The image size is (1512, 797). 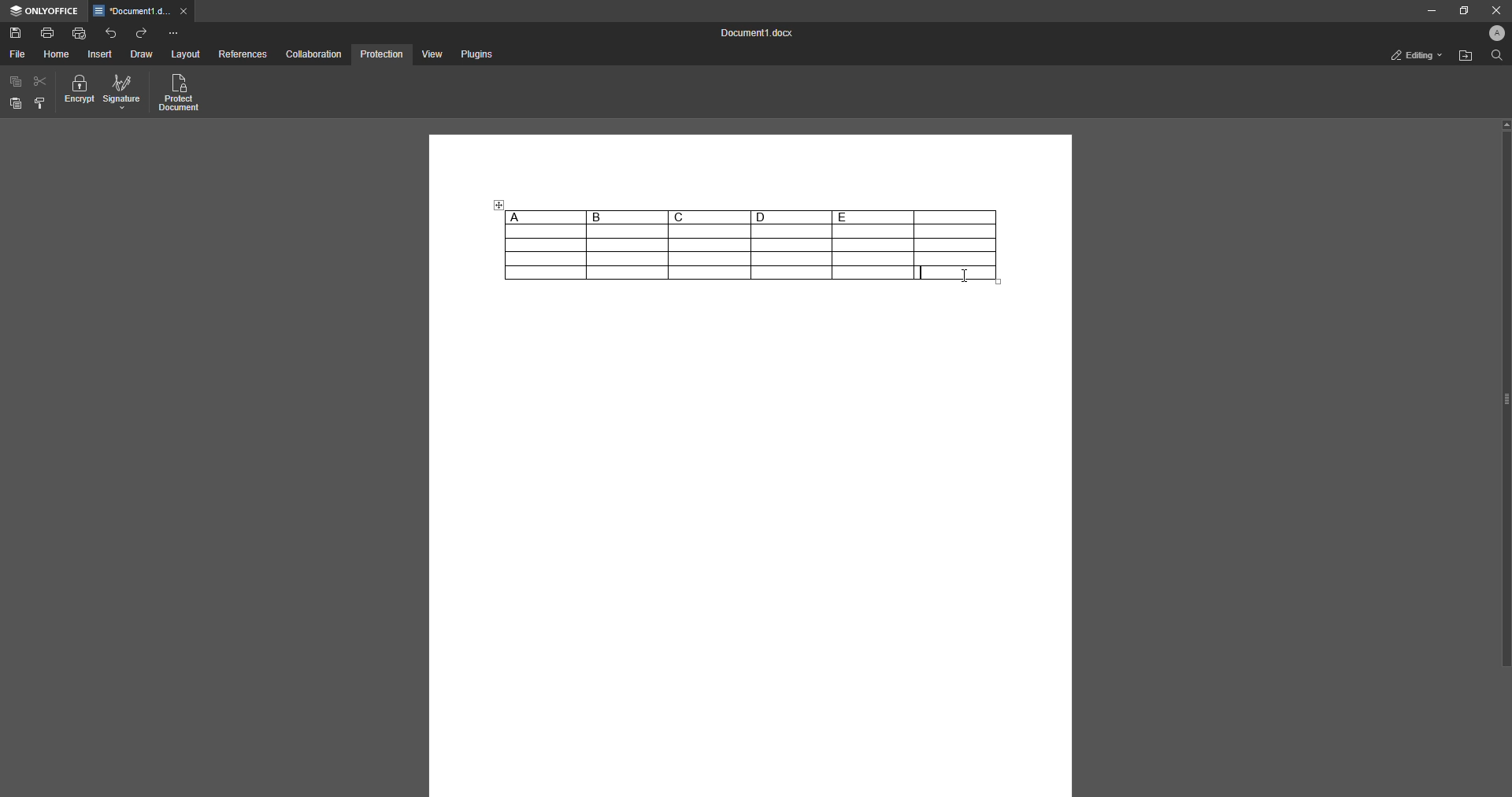 I want to click on Text line Selected, so click(x=923, y=272).